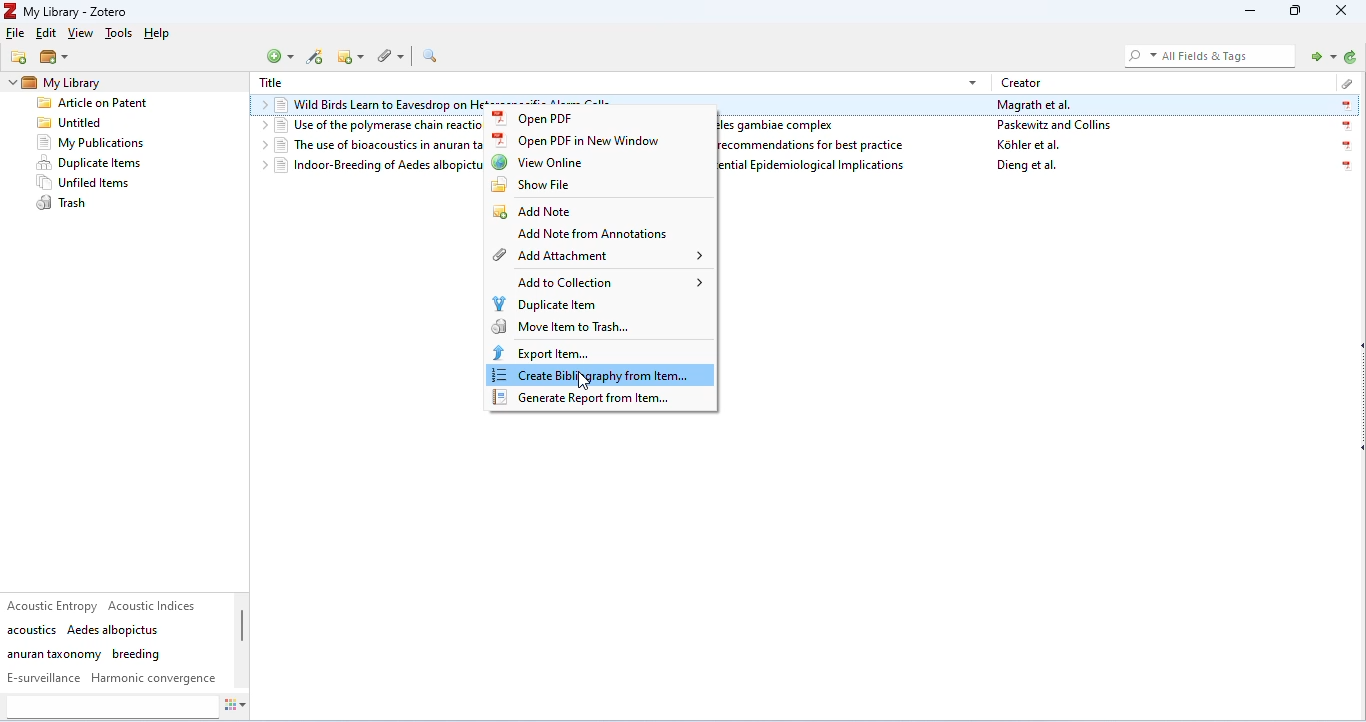 Image resolution: width=1366 pixels, height=722 pixels. I want to click on pdf, so click(1345, 126).